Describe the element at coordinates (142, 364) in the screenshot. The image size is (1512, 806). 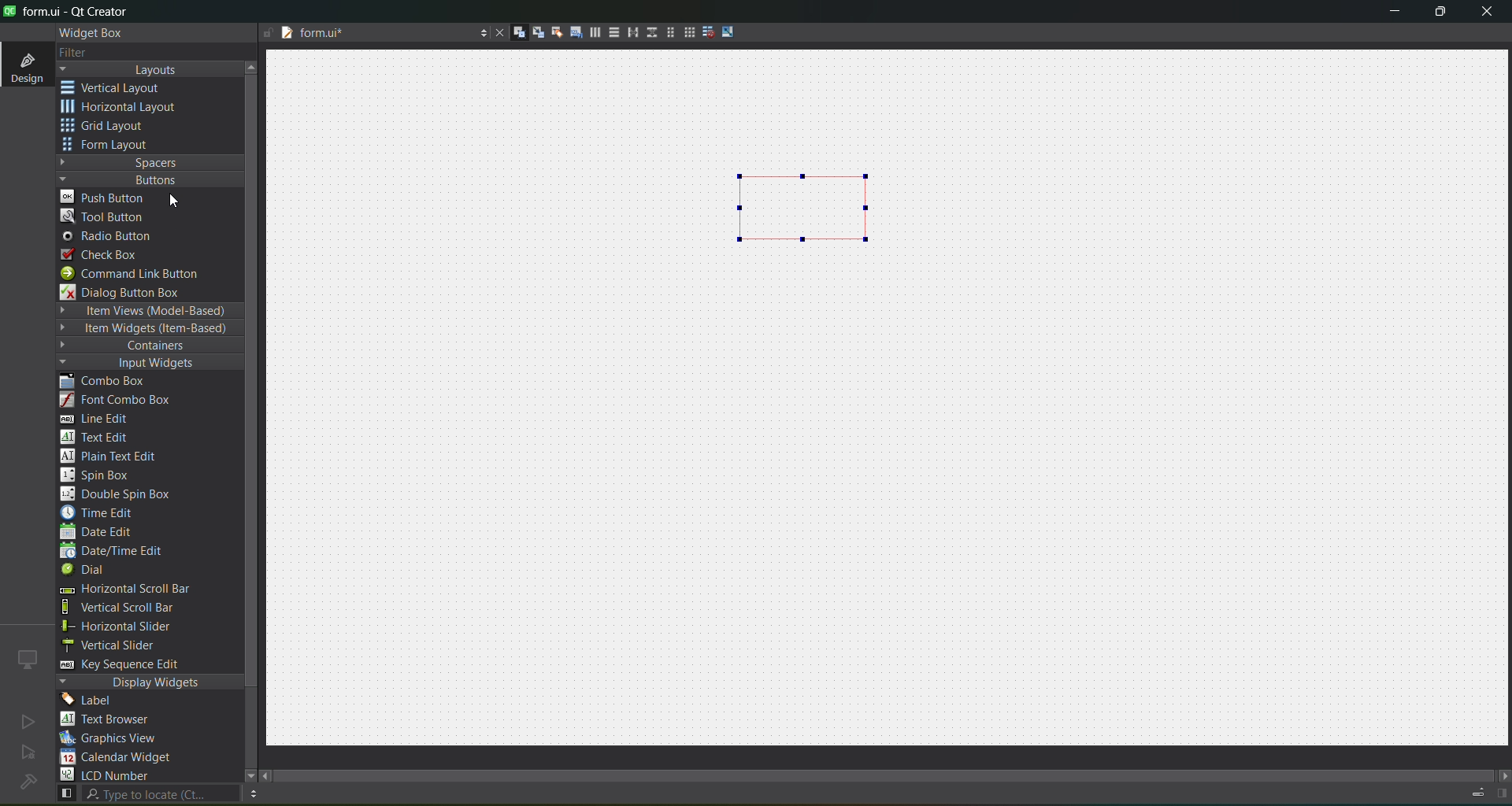
I see `input widgets` at that location.